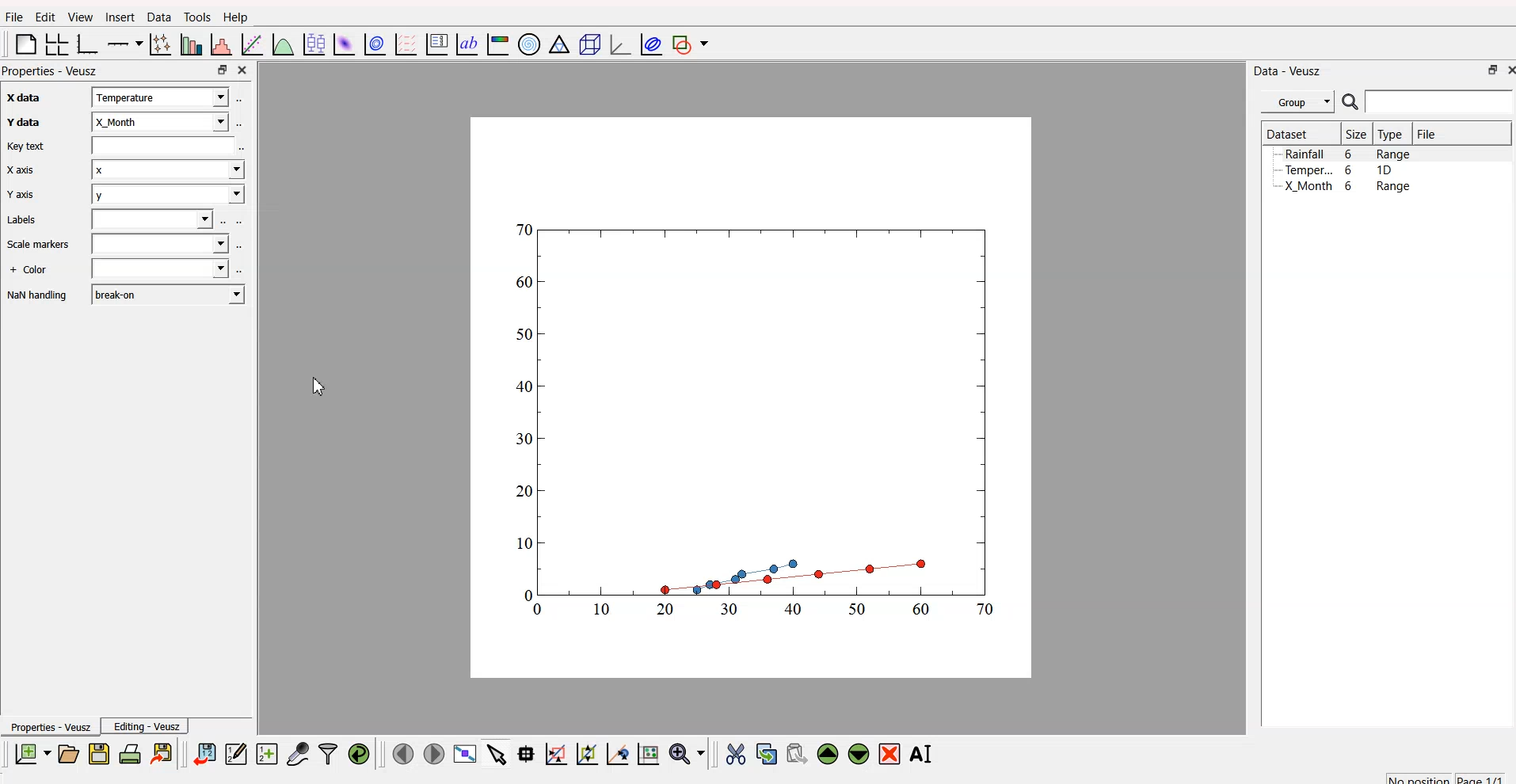 Image resolution: width=1516 pixels, height=784 pixels. Describe the element at coordinates (584, 754) in the screenshot. I see `draw points` at that location.